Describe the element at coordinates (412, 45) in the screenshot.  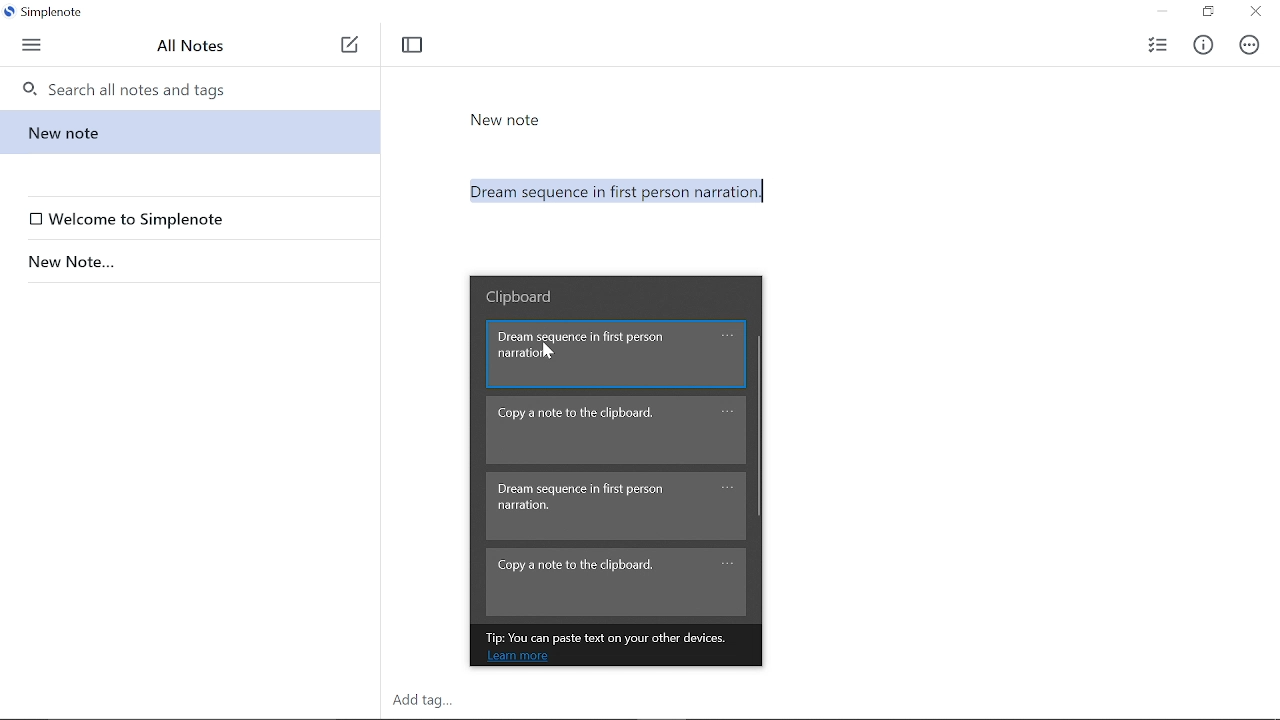
I see `Toggle focus mode` at that location.